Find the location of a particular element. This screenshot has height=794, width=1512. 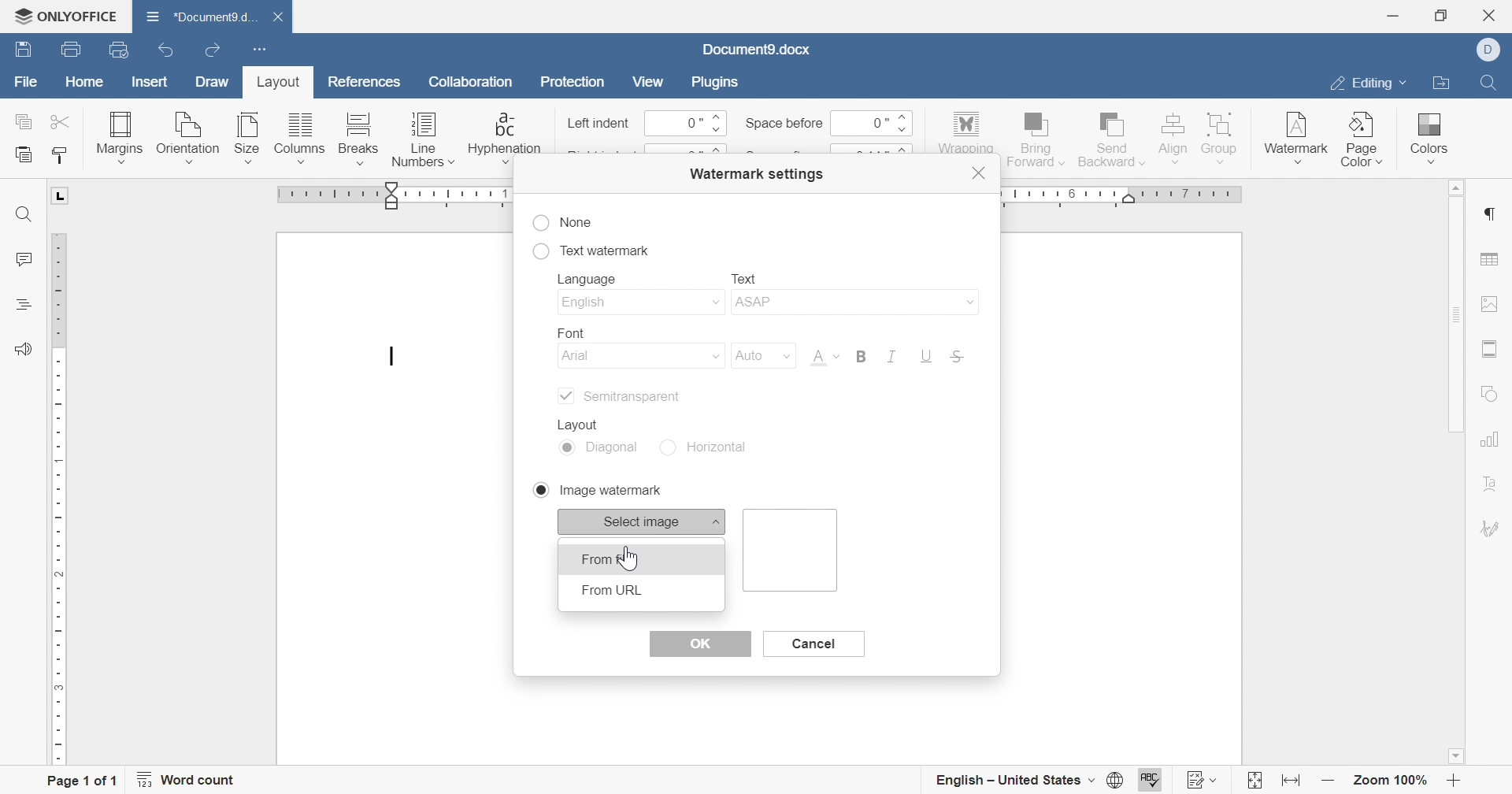

watermark settings is located at coordinates (754, 173).